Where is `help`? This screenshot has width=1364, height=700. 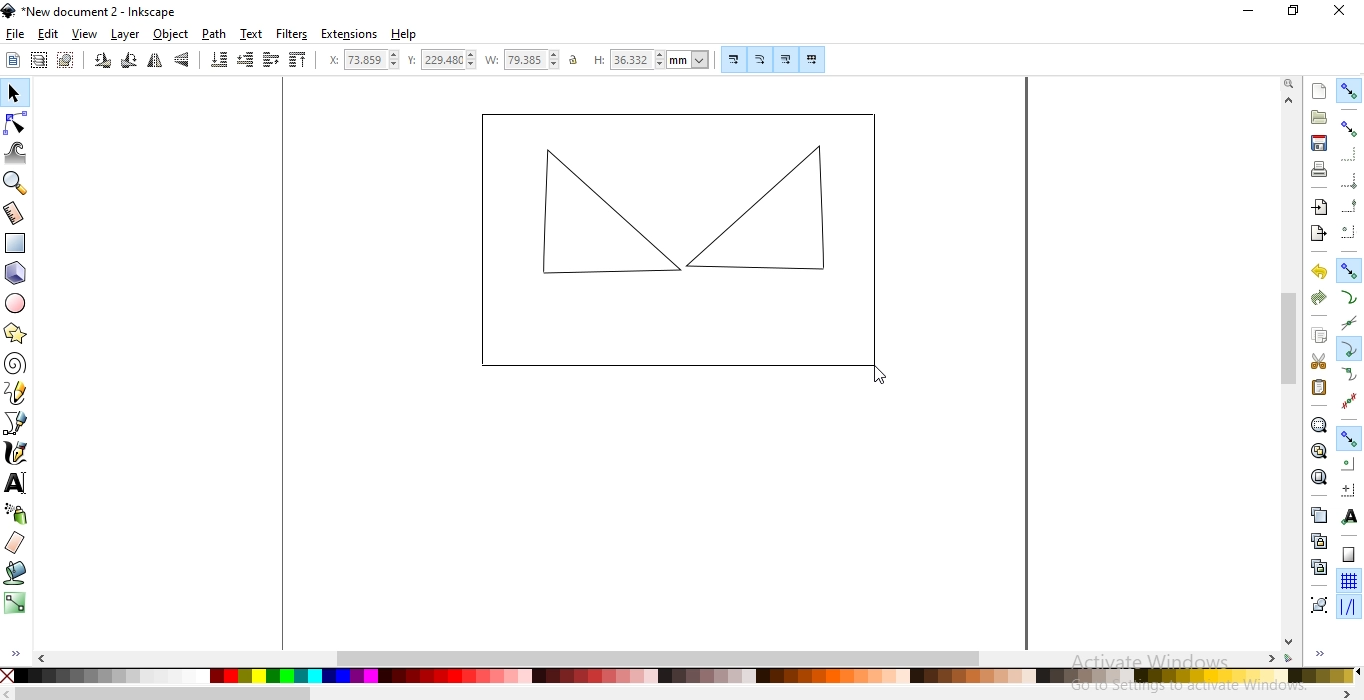
help is located at coordinates (407, 35).